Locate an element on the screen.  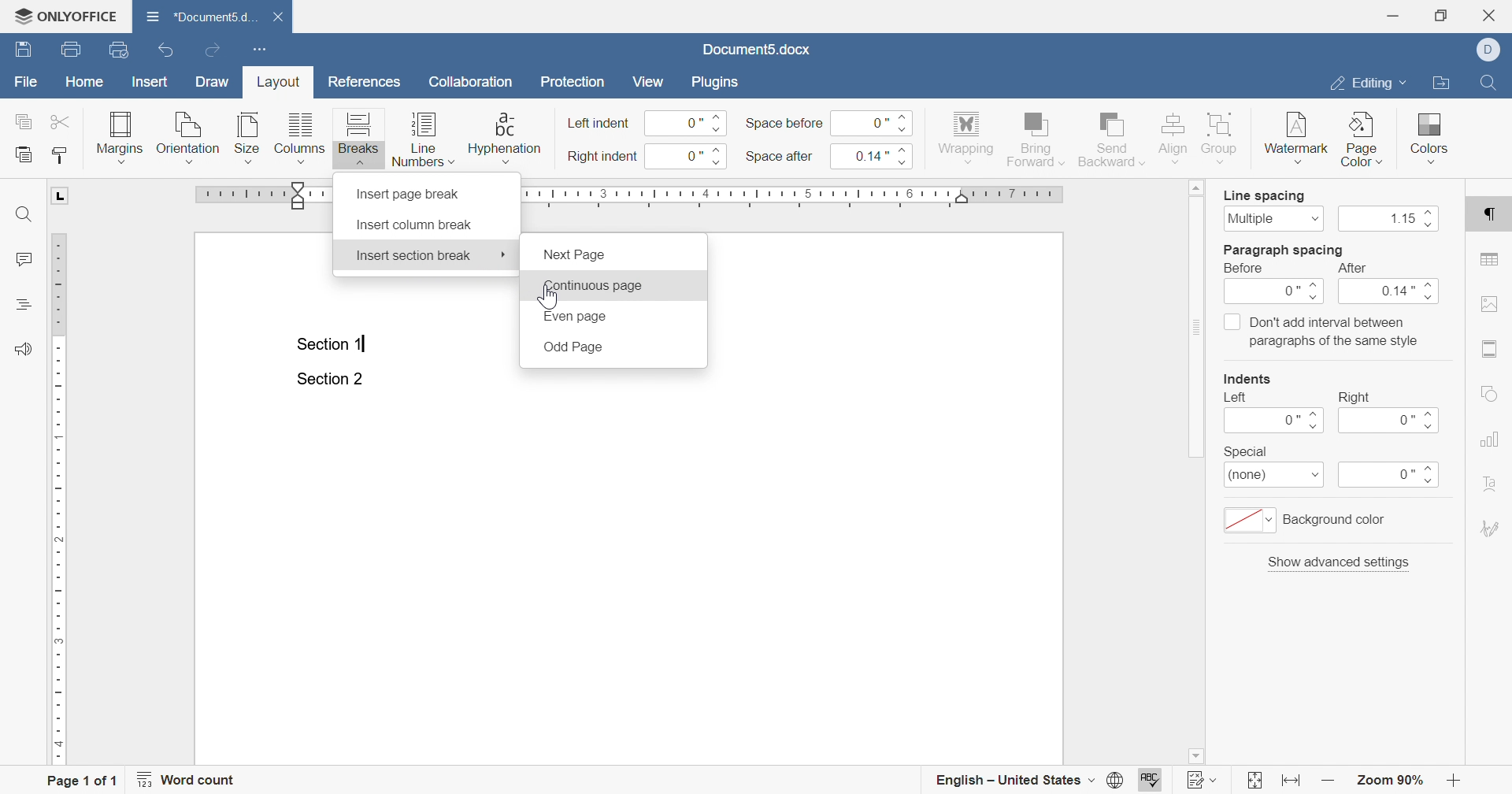
section 1 is located at coordinates (333, 345).